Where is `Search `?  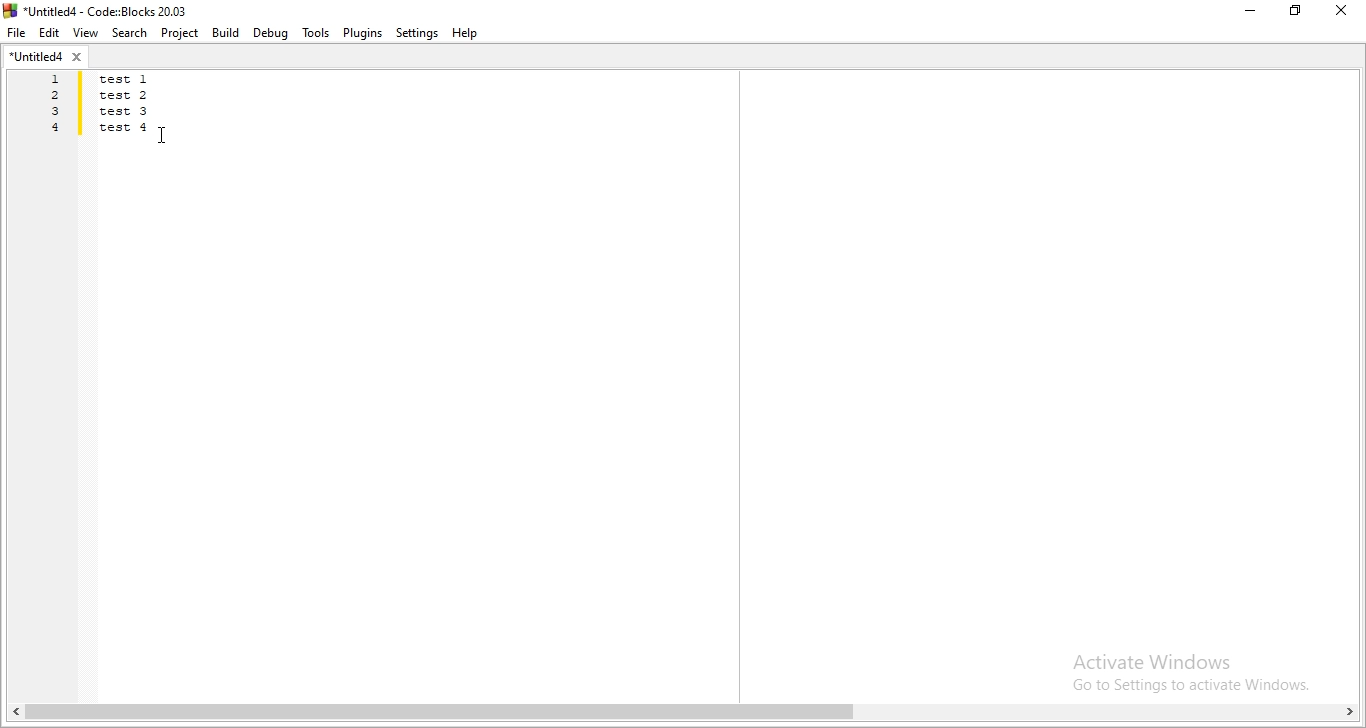 Search  is located at coordinates (126, 33).